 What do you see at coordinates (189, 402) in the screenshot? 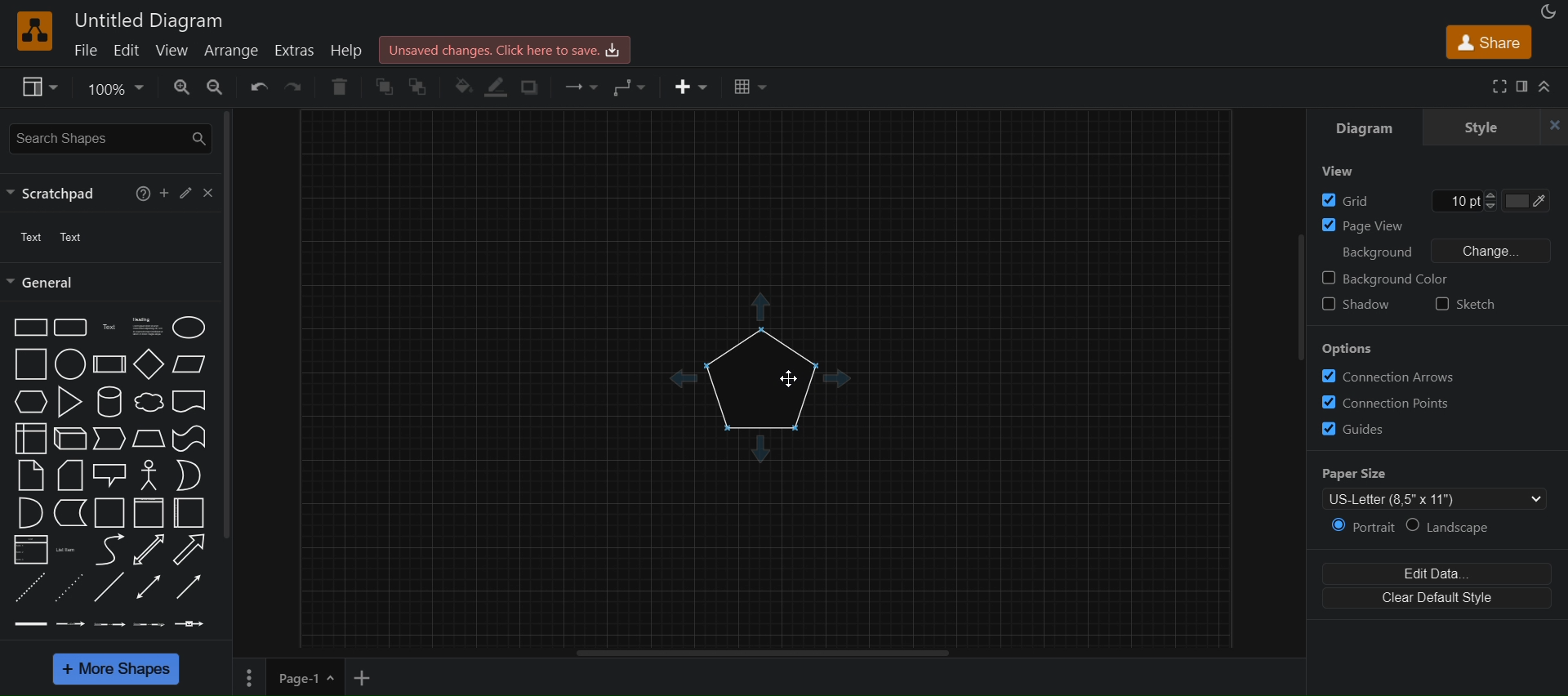
I see `Document` at bounding box center [189, 402].